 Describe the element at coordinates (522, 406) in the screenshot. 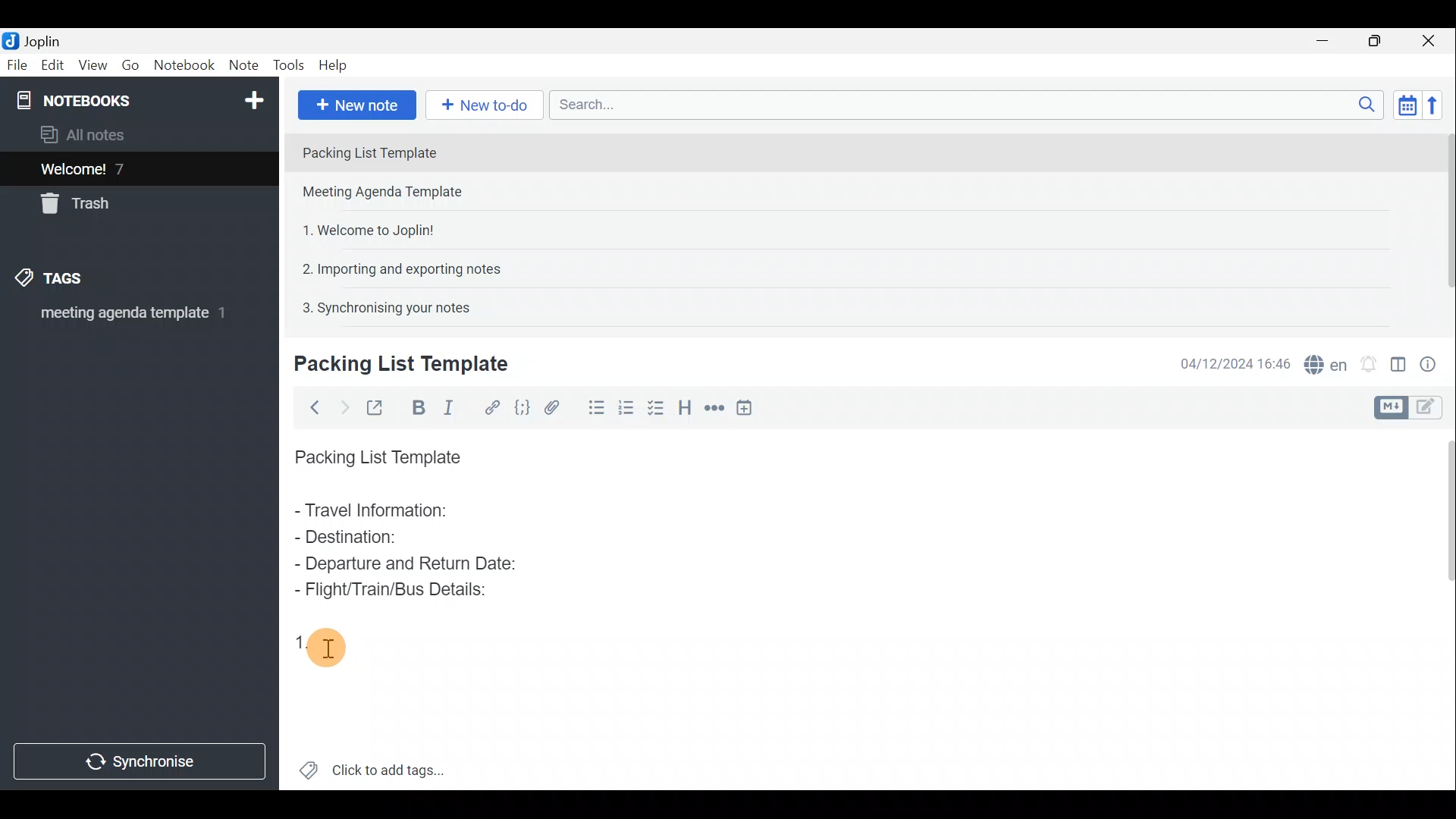

I see `Code` at that location.